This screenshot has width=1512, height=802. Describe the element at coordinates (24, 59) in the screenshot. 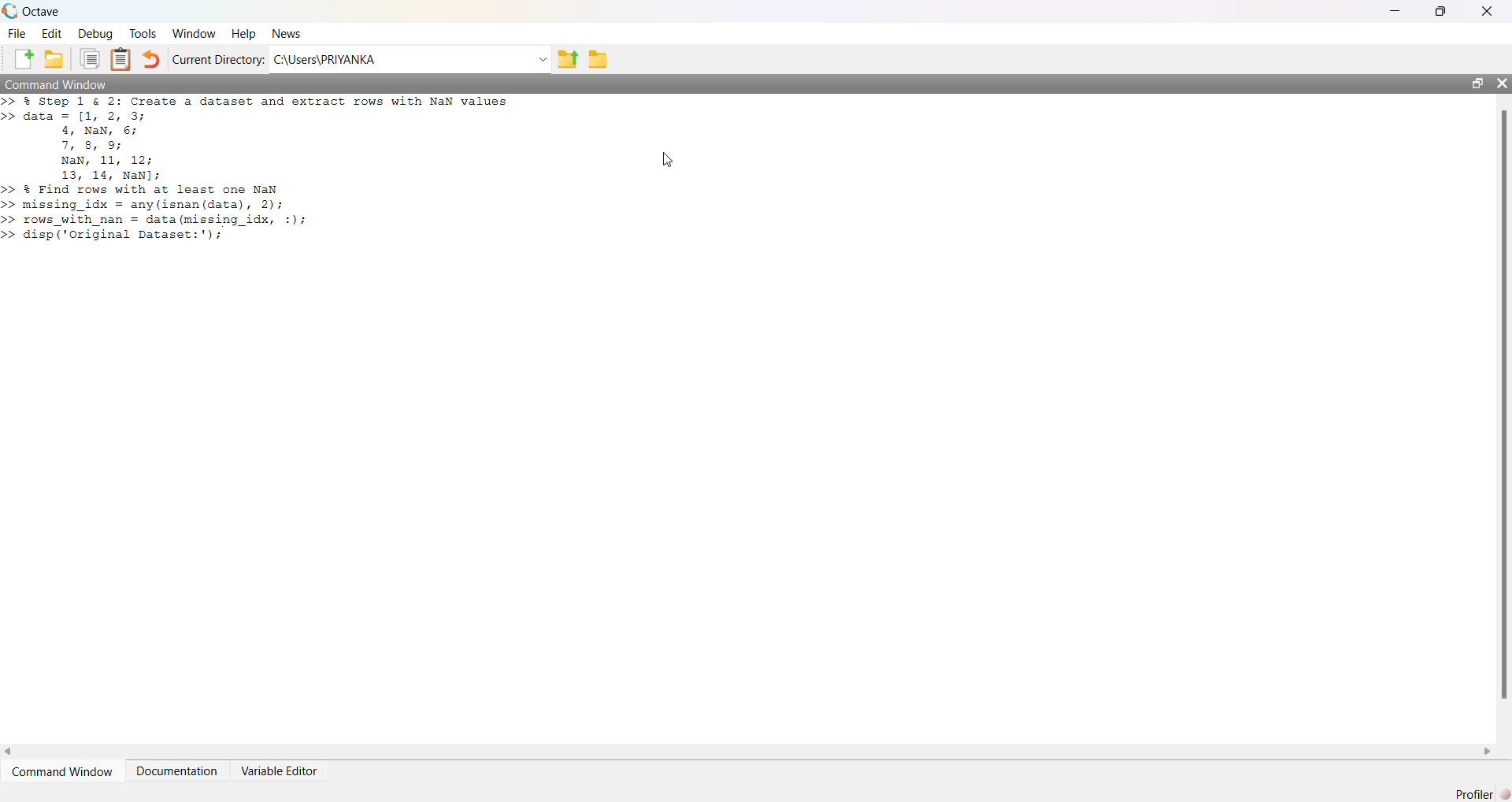

I see `New File` at that location.